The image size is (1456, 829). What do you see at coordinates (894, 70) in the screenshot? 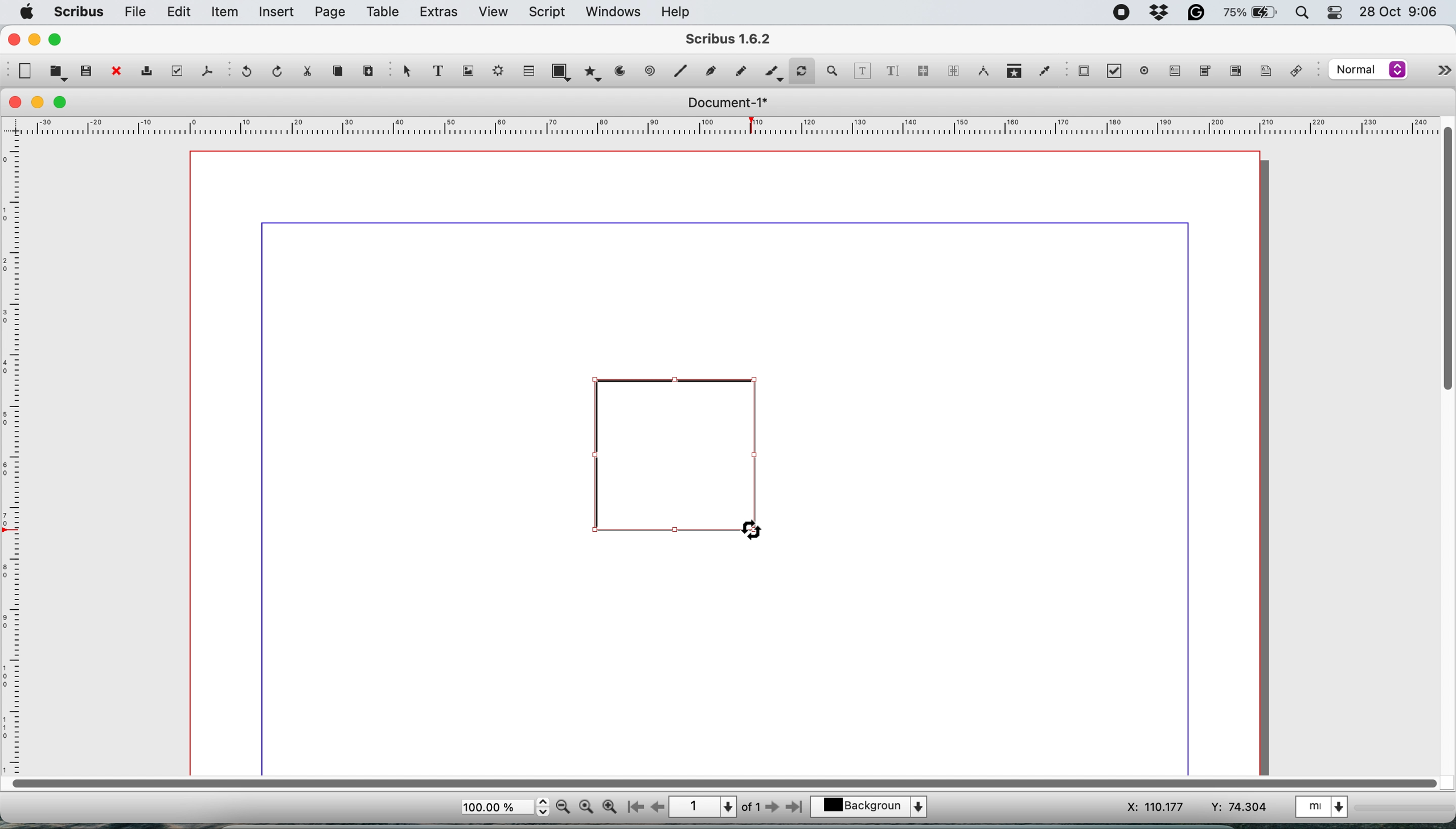
I see `edit text with story editor` at bounding box center [894, 70].